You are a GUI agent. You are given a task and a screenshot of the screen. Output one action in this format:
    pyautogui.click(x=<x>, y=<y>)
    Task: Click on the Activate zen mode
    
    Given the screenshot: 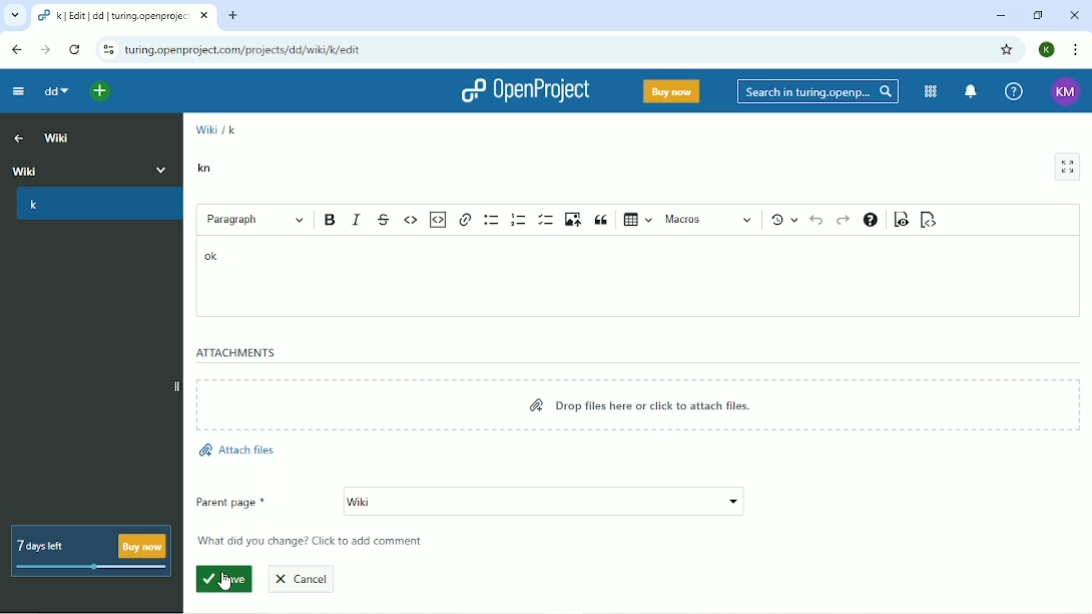 What is the action you would take?
    pyautogui.click(x=1067, y=167)
    